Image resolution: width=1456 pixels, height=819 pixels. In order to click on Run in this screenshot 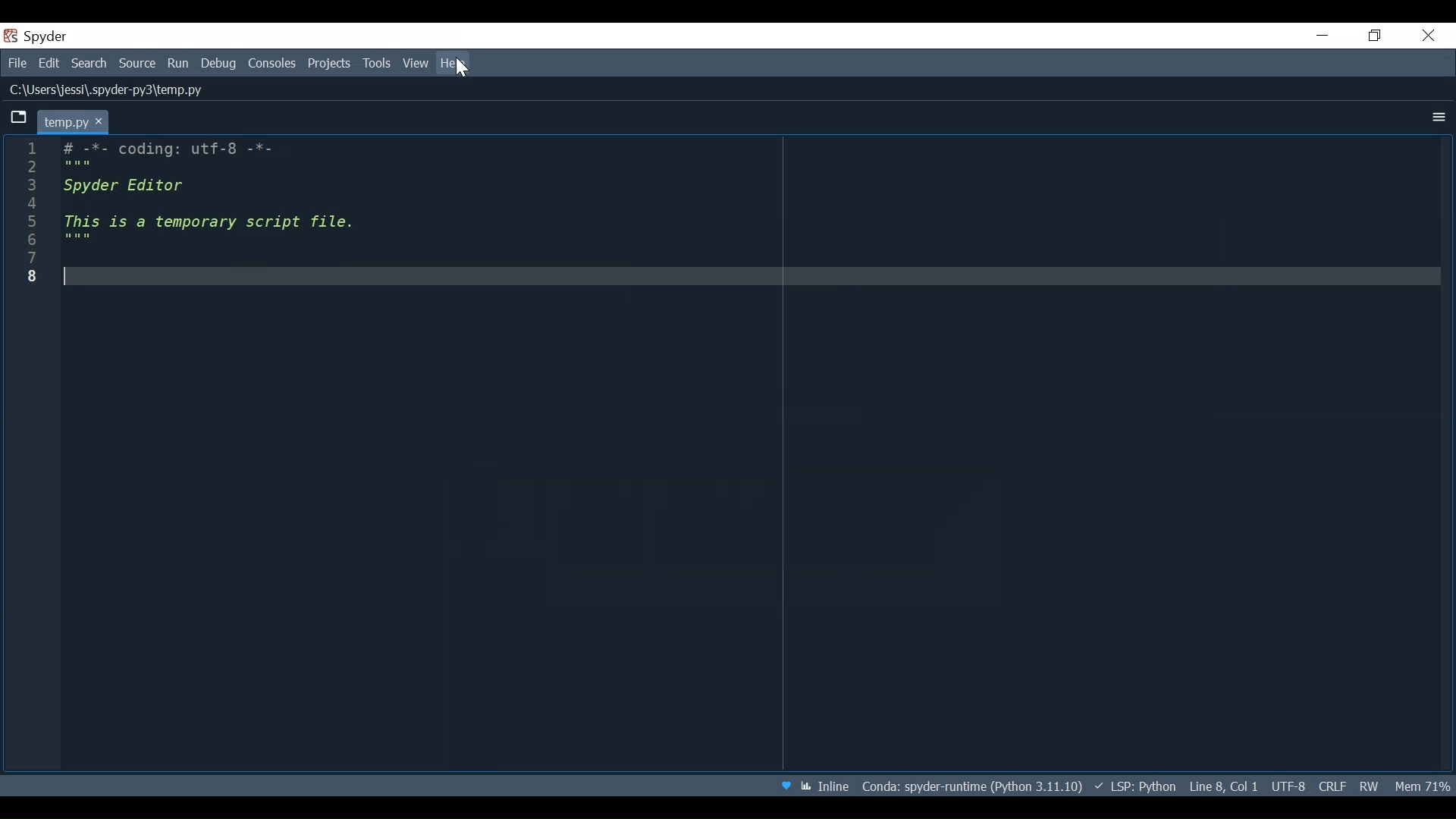, I will do `click(179, 65)`.